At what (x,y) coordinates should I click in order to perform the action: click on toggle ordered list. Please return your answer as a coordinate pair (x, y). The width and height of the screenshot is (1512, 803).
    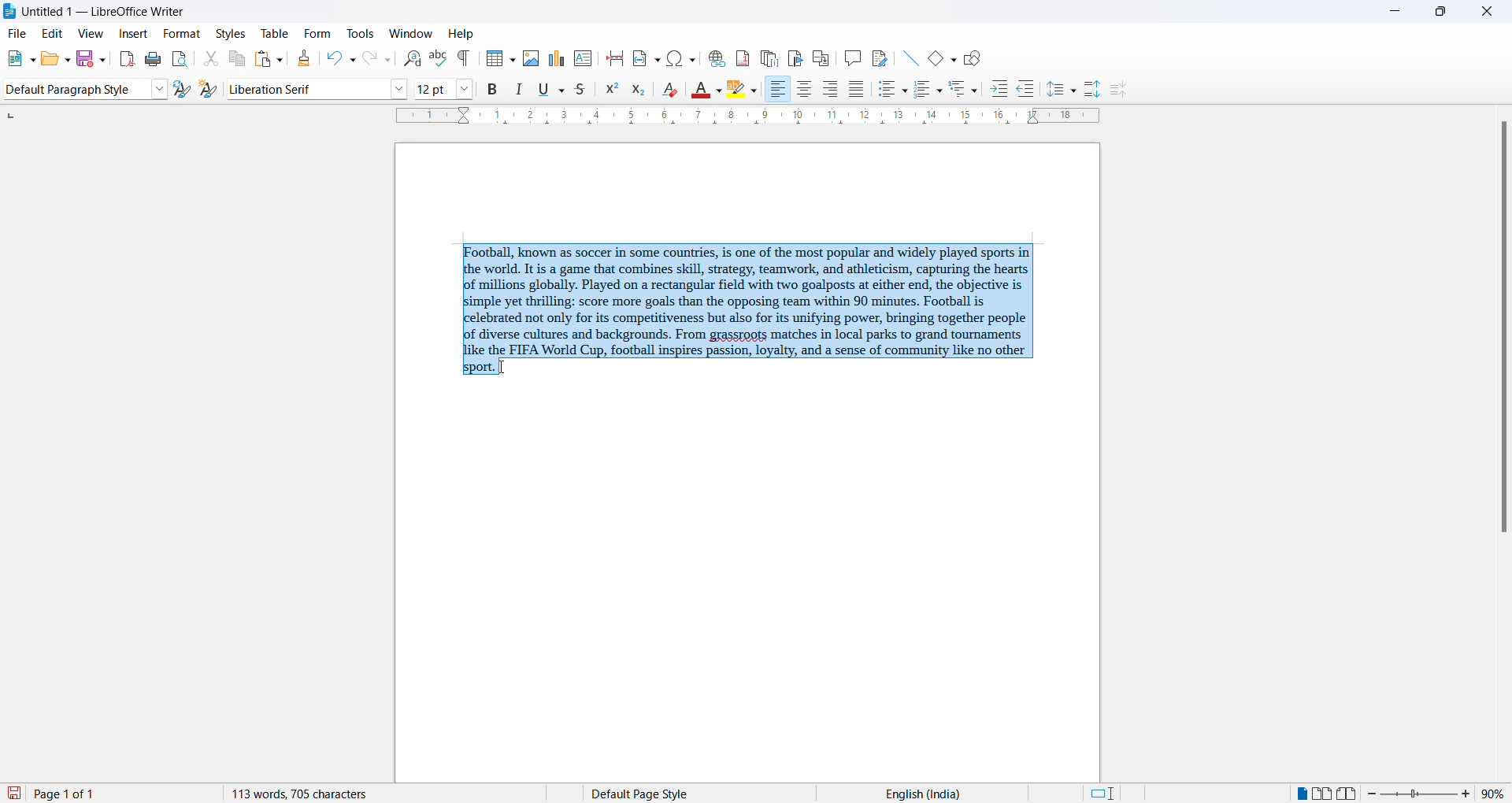
    Looking at the image, I should click on (924, 90).